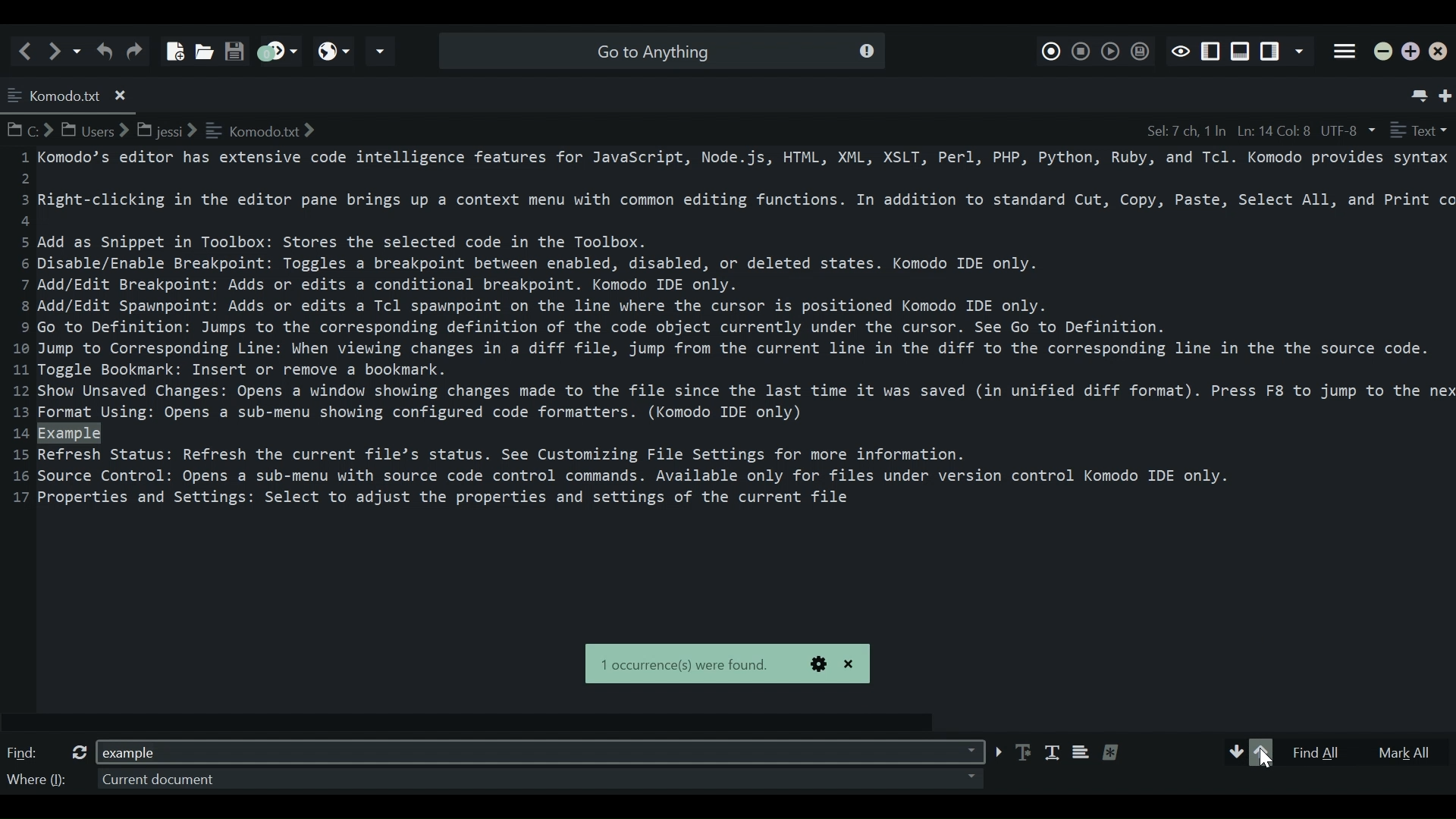 The image size is (1456, 819). Describe the element at coordinates (1405, 752) in the screenshot. I see `Mark All` at that location.